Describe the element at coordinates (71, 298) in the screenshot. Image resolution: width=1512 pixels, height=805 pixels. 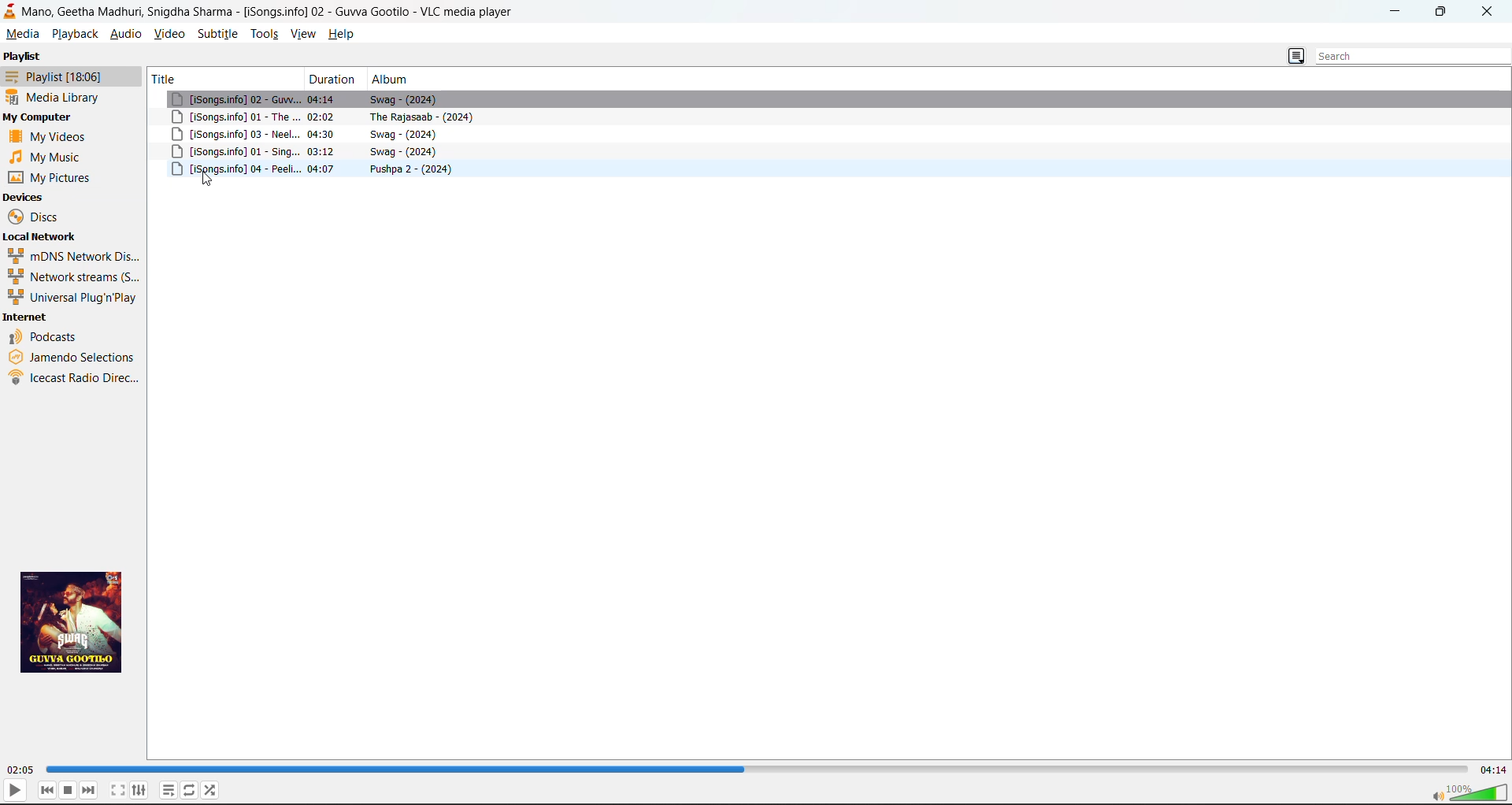
I see `universal plug n play` at that location.